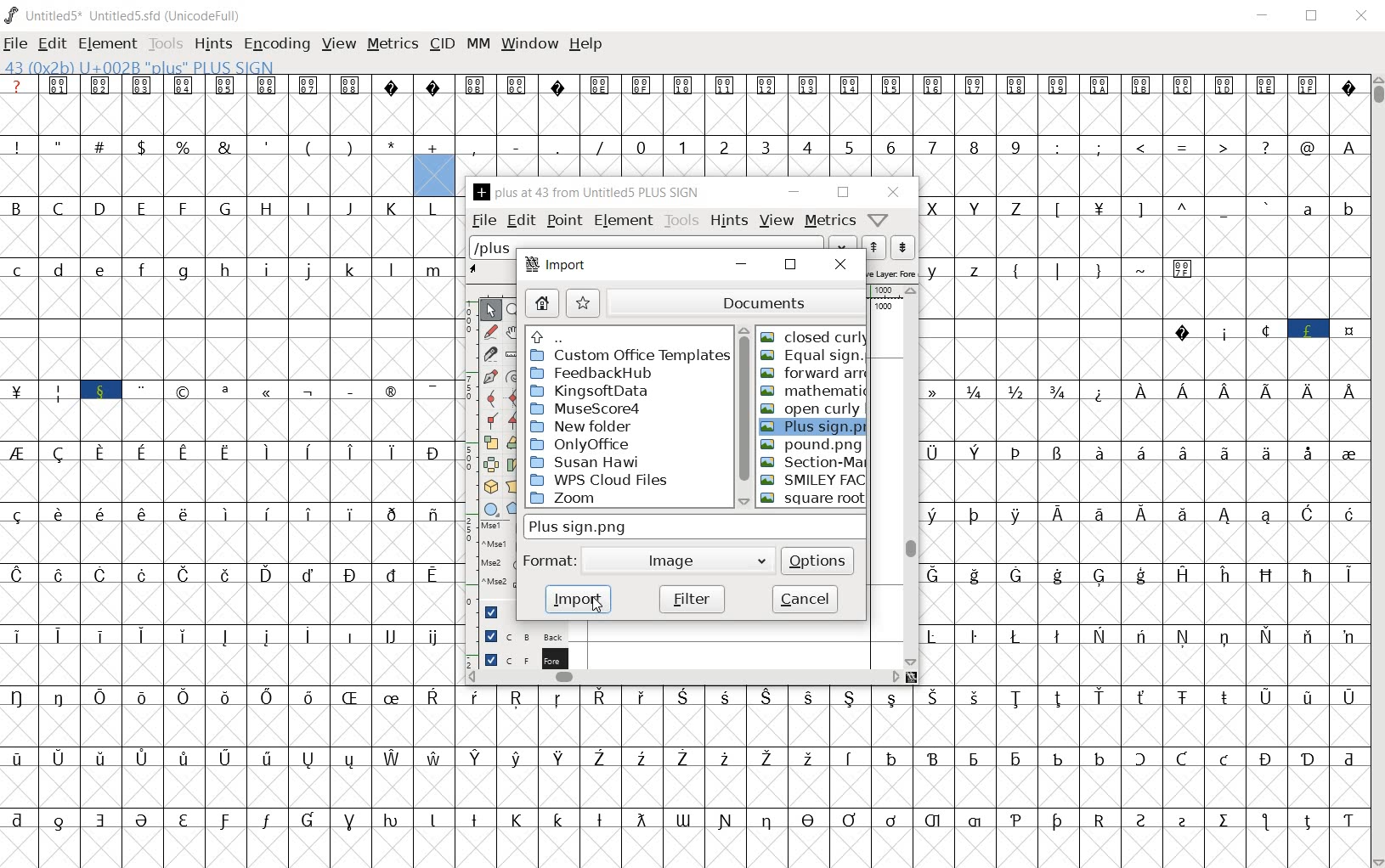 This screenshot has width=1385, height=868. I want to click on special characters, so click(1263, 350).